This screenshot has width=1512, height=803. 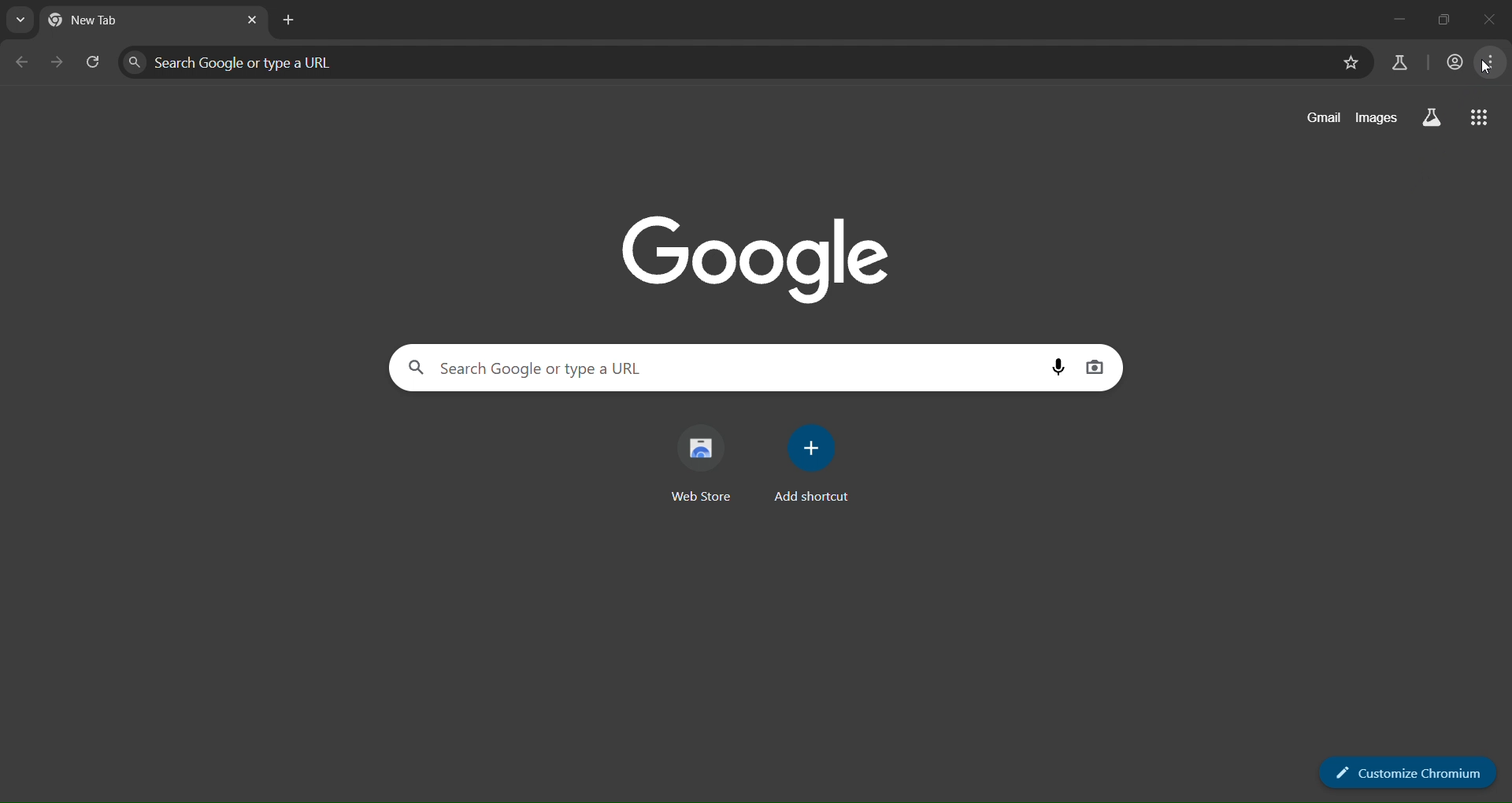 What do you see at coordinates (252, 20) in the screenshot?
I see `close tab` at bounding box center [252, 20].